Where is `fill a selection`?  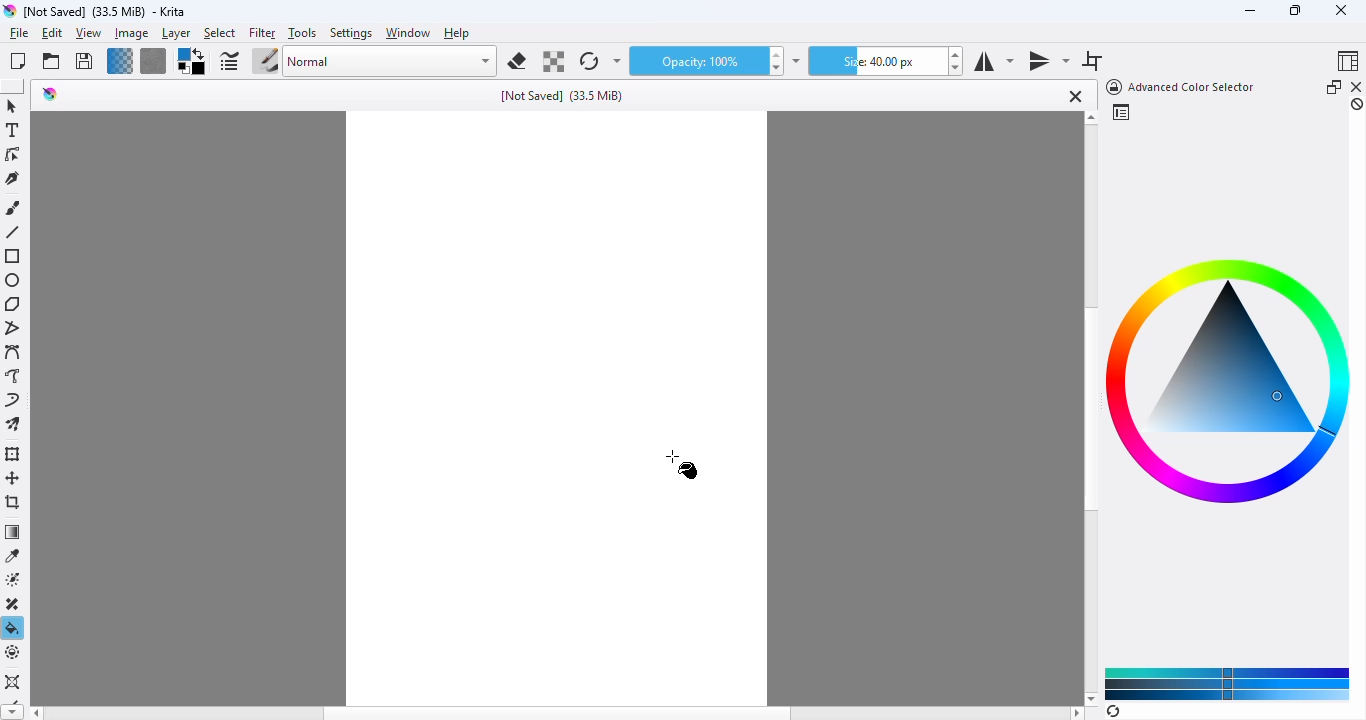 fill a selection is located at coordinates (13, 628).